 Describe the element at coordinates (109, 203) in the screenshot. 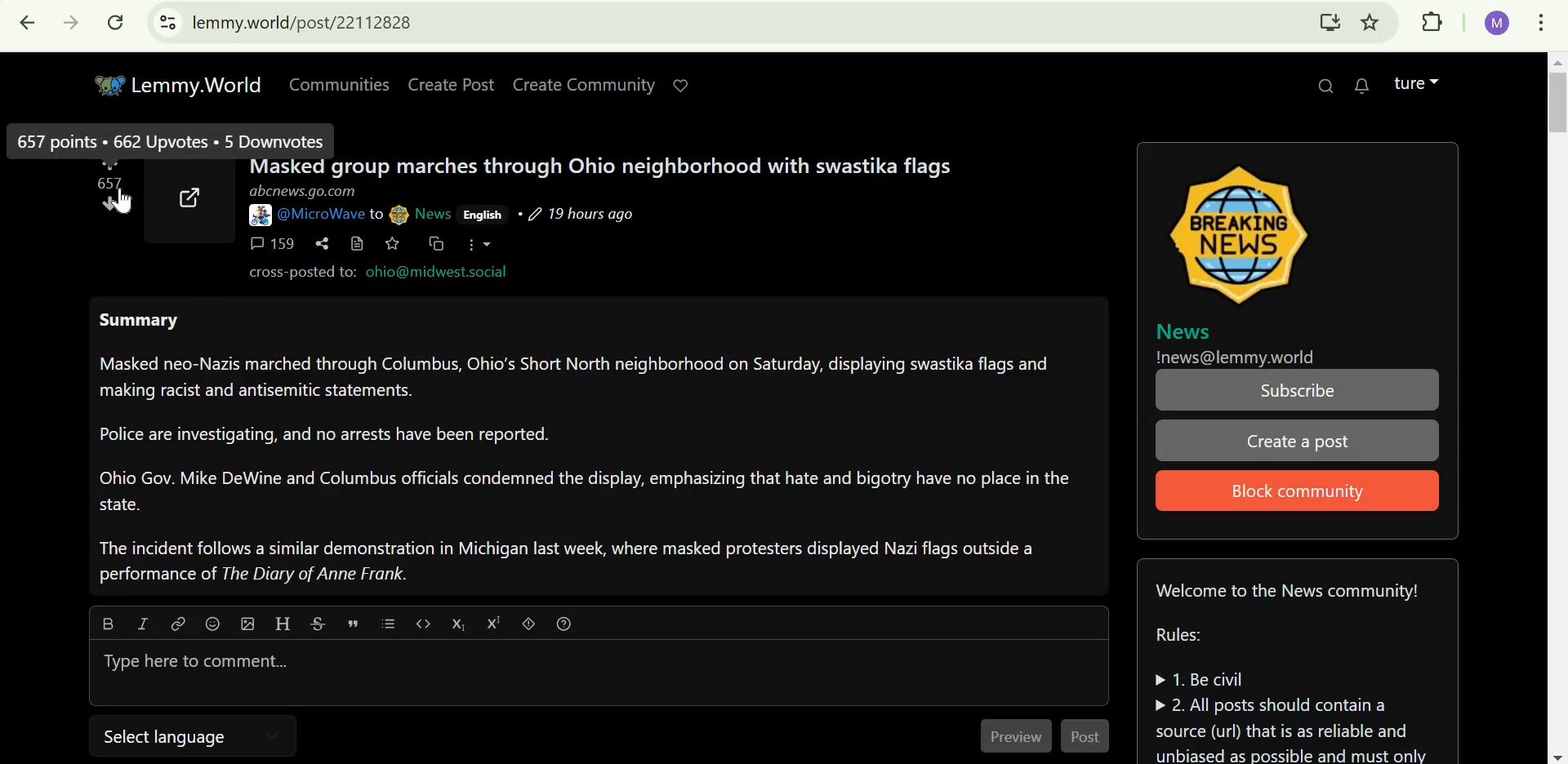

I see `downvote` at that location.